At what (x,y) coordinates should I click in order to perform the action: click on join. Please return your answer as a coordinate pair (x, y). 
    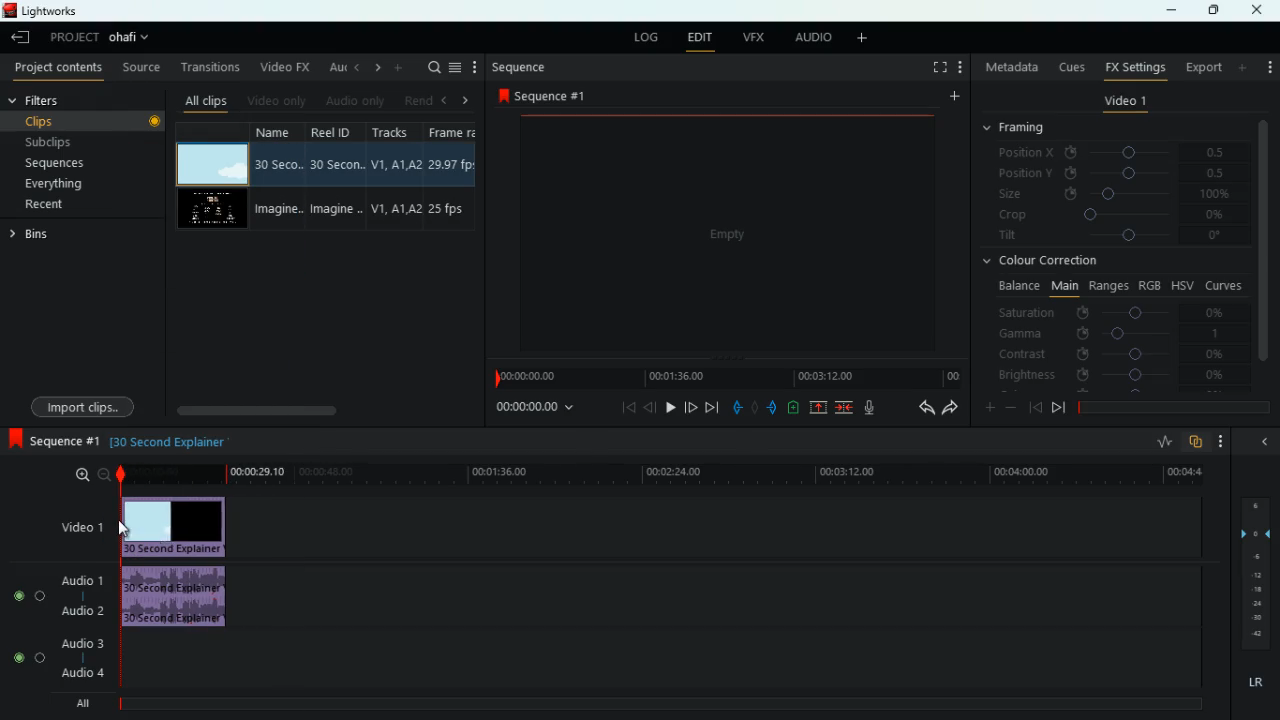
    Looking at the image, I should click on (846, 407).